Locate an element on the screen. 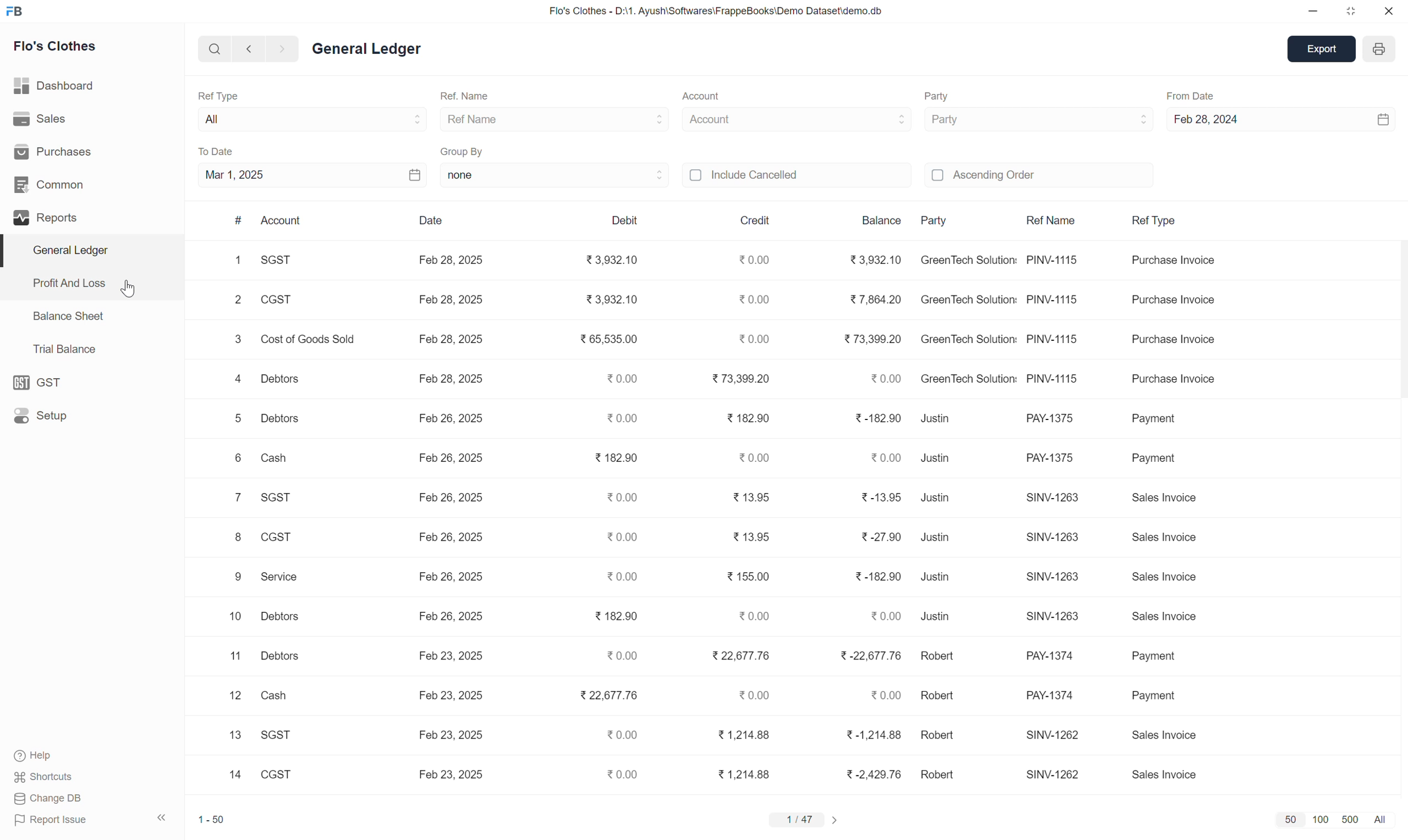 This screenshot has height=840, width=1408. General Ledger is located at coordinates (371, 52).